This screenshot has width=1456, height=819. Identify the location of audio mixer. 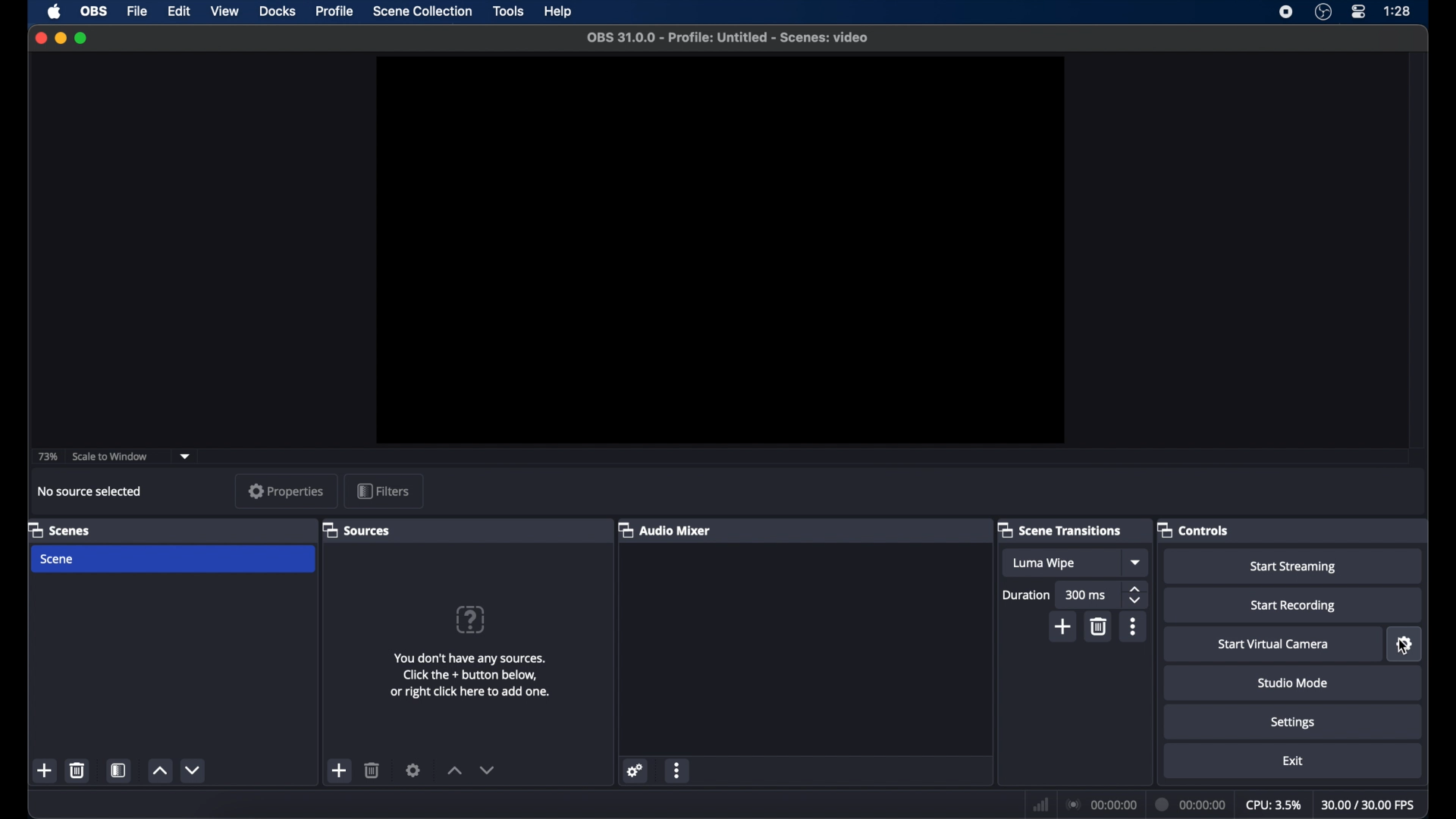
(667, 530).